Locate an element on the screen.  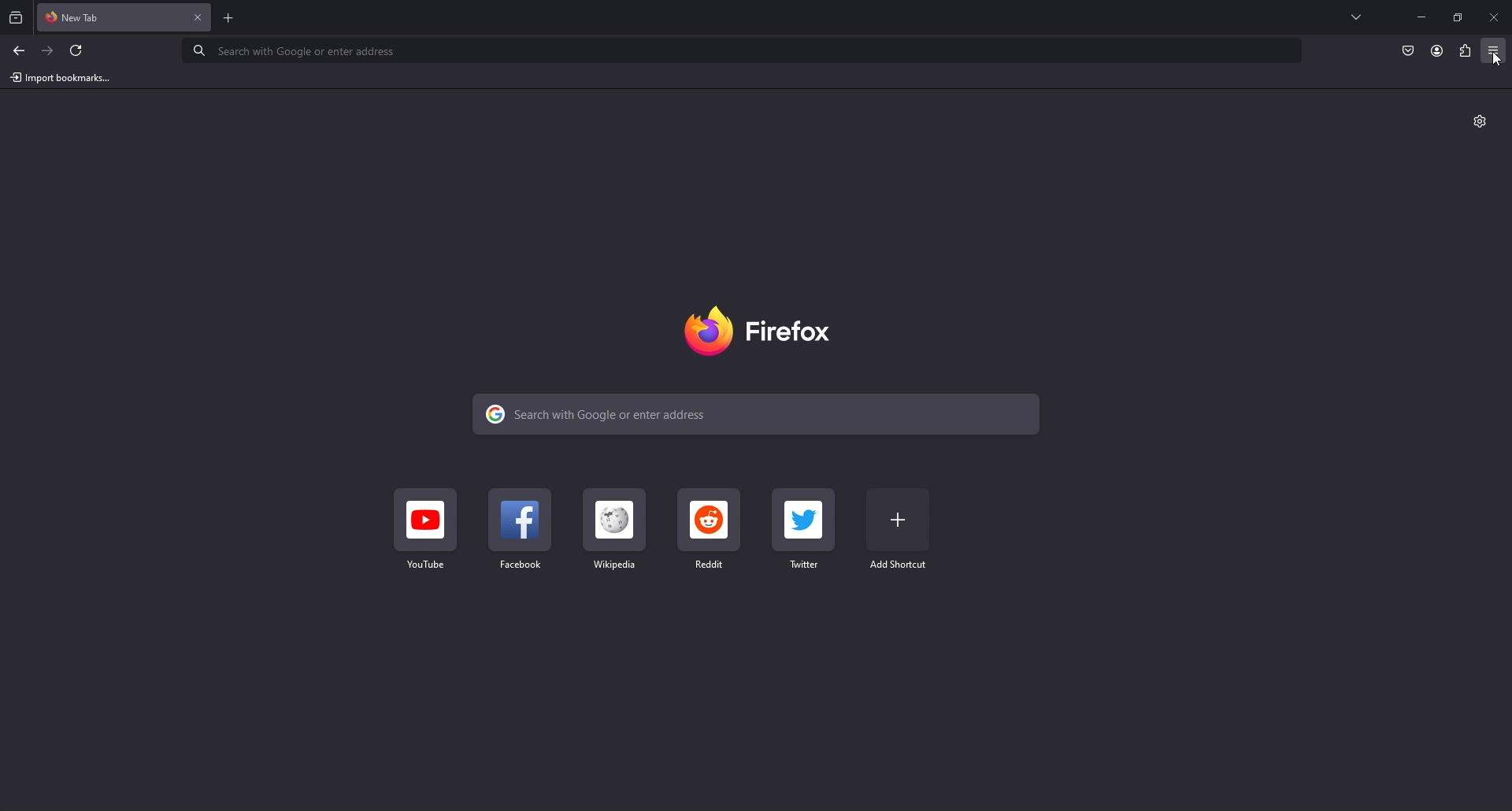
application menu is located at coordinates (1492, 50).